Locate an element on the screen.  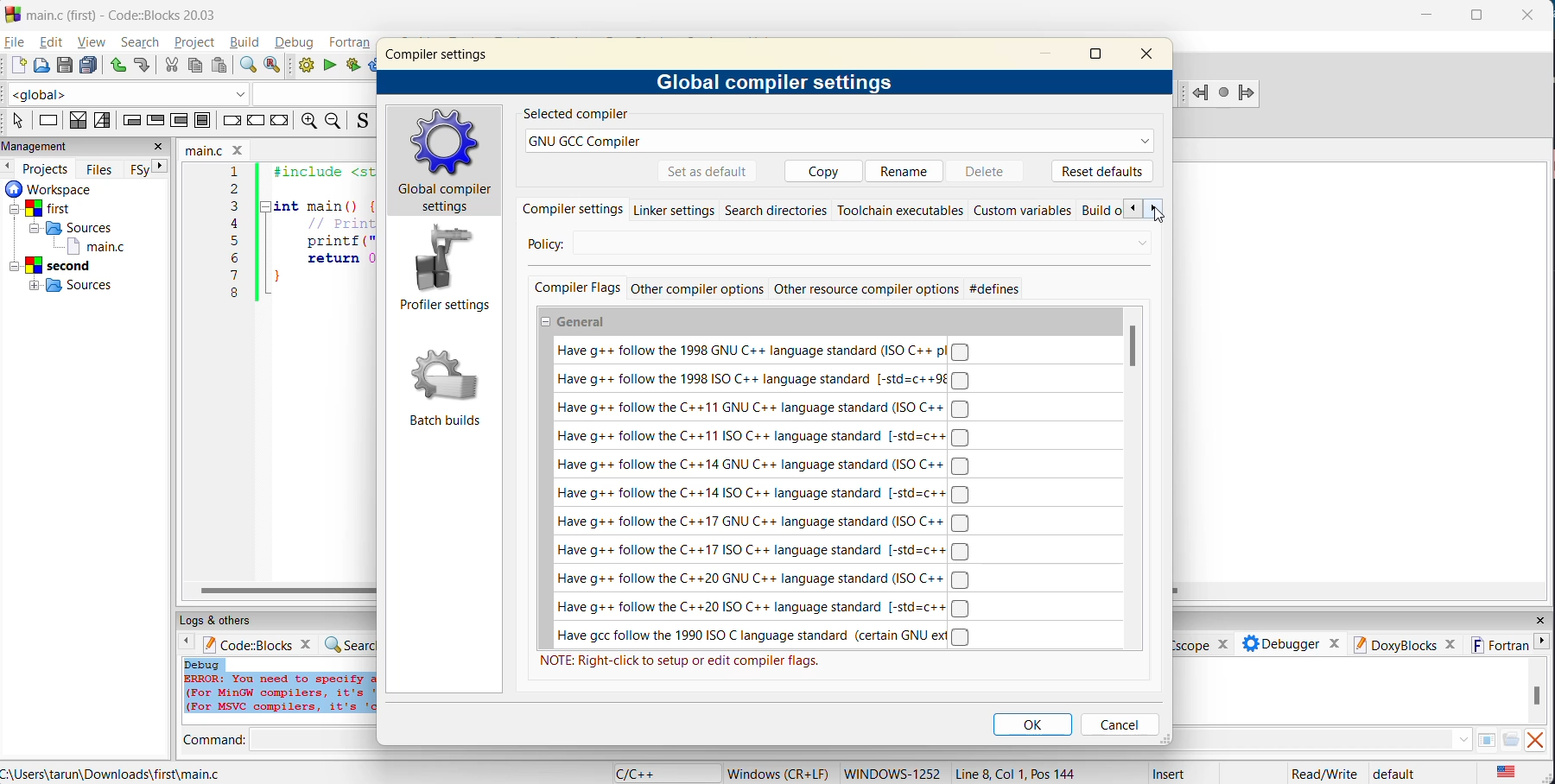
return instruction is located at coordinates (280, 120).